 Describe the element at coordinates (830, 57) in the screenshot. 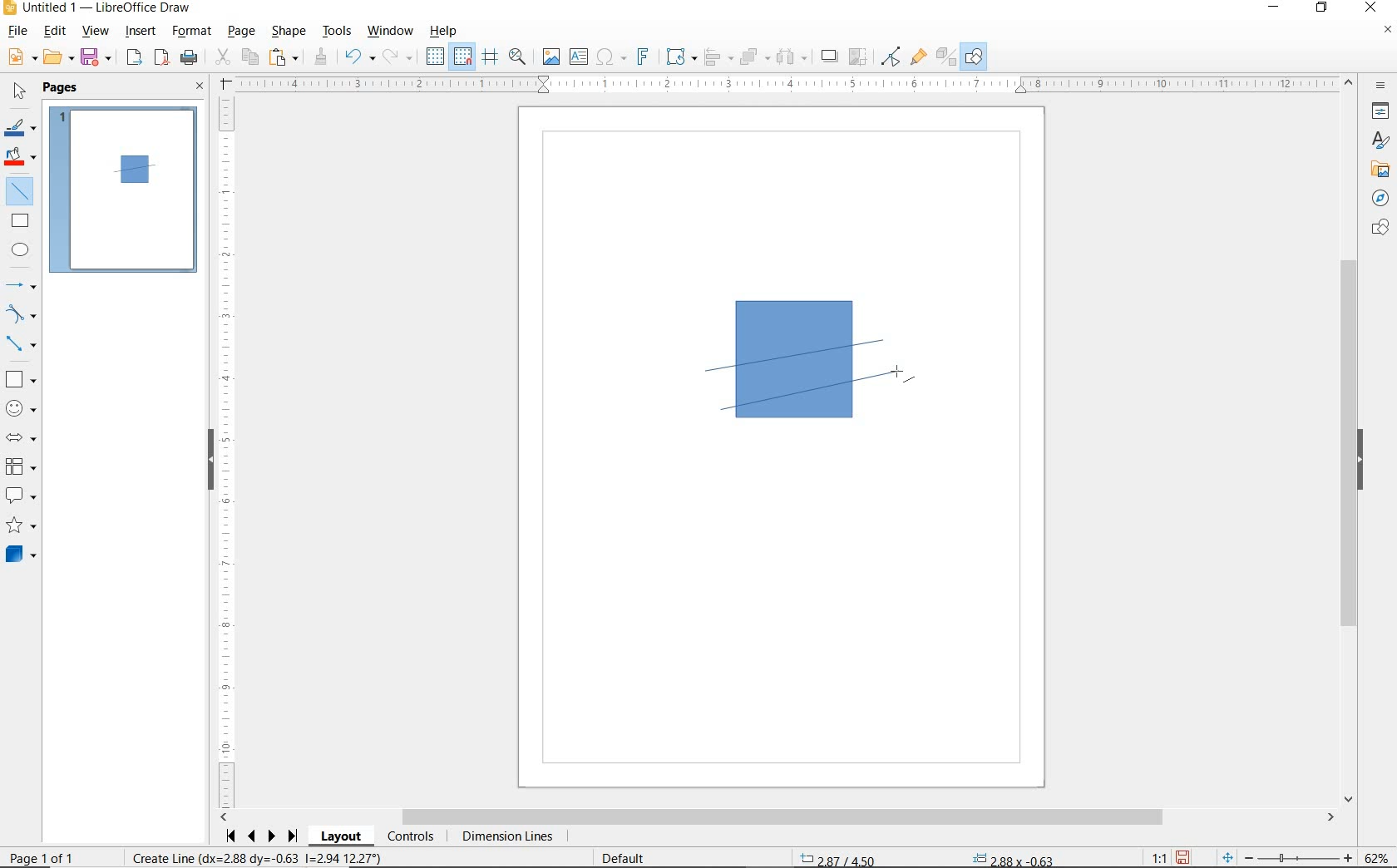

I see `SHADOW` at that location.